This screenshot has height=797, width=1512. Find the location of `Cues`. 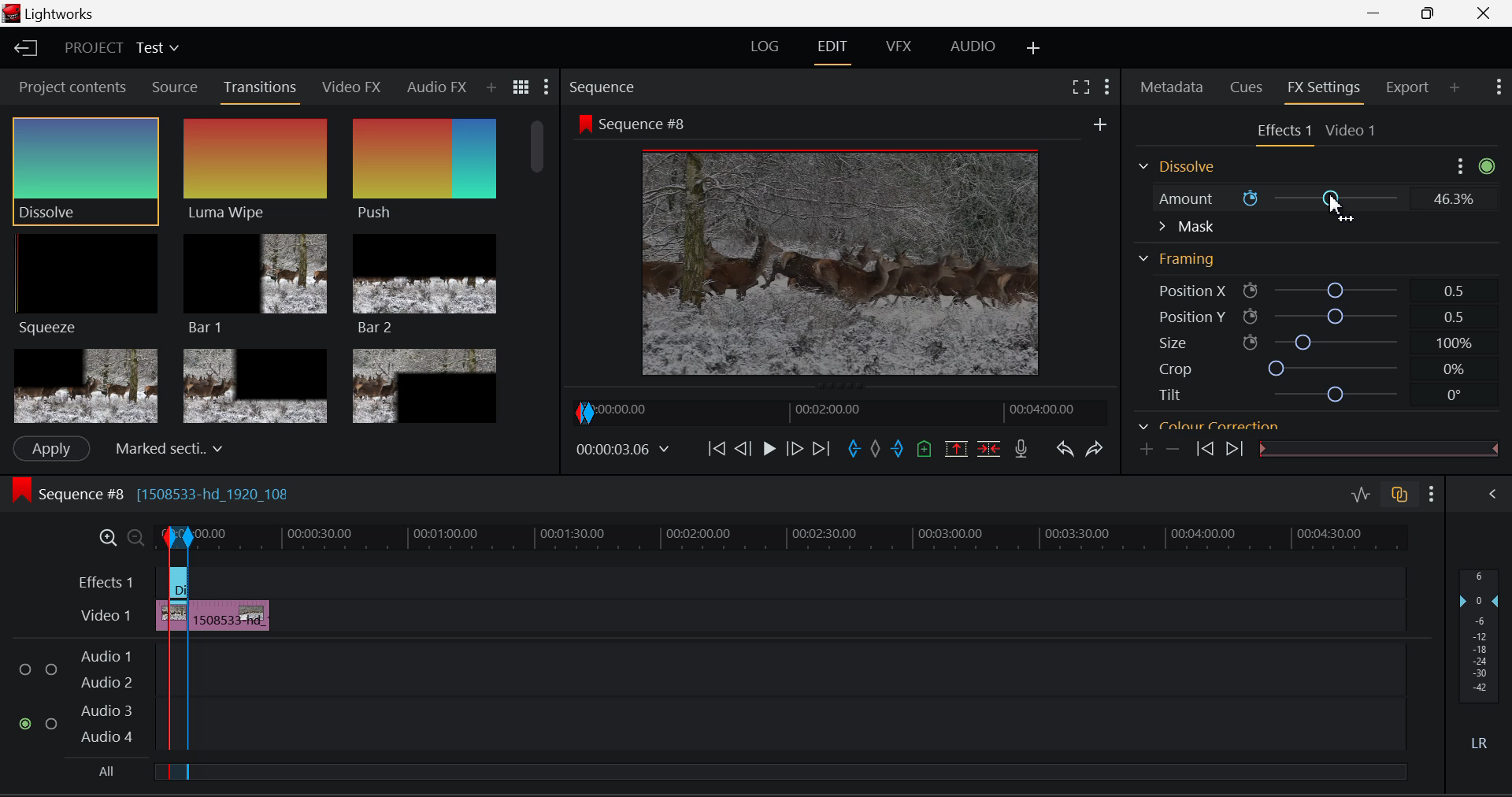

Cues is located at coordinates (1244, 88).